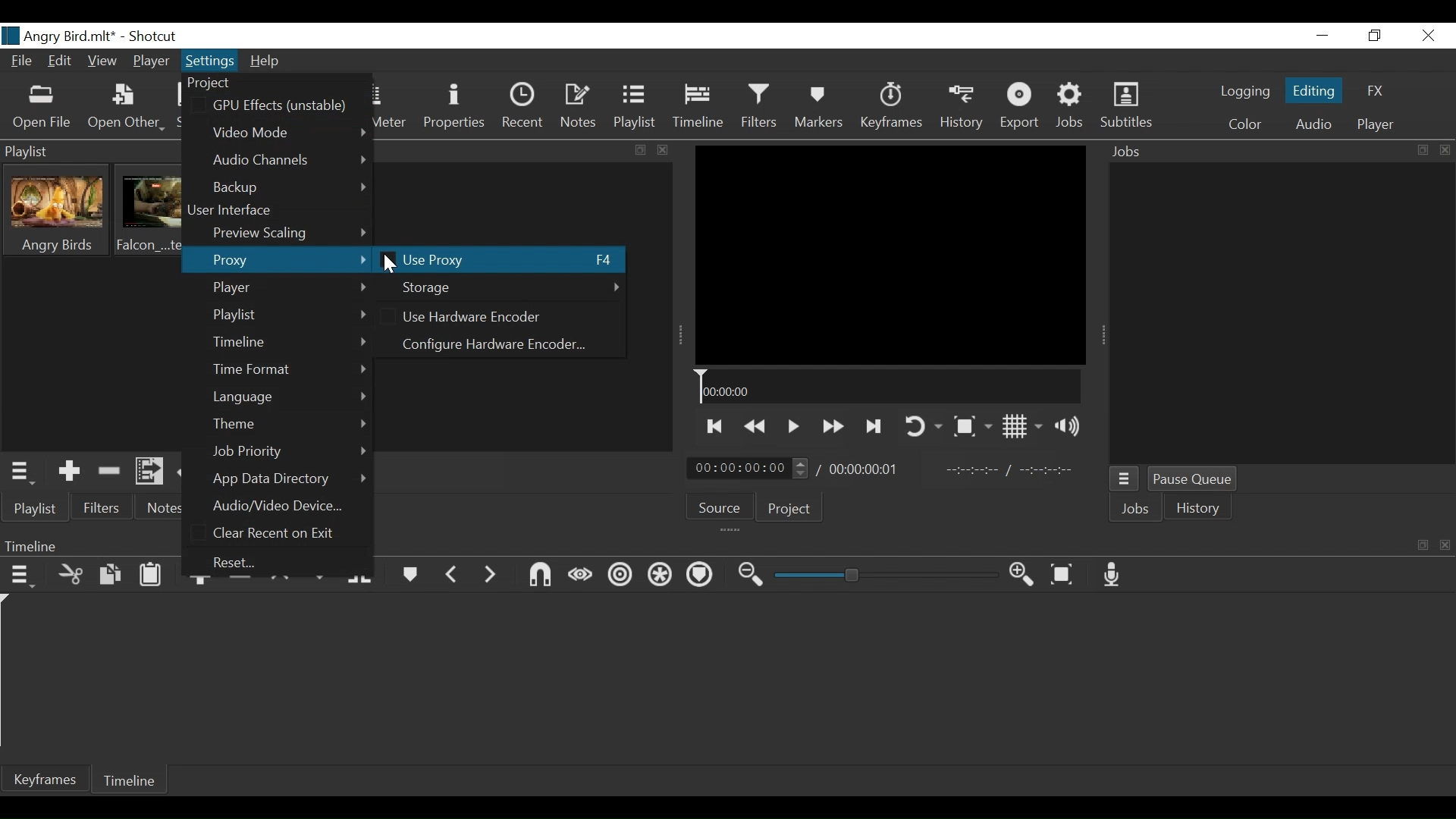 This screenshot has height=819, width=1456. I want to click on Recent, so click(243, 563).